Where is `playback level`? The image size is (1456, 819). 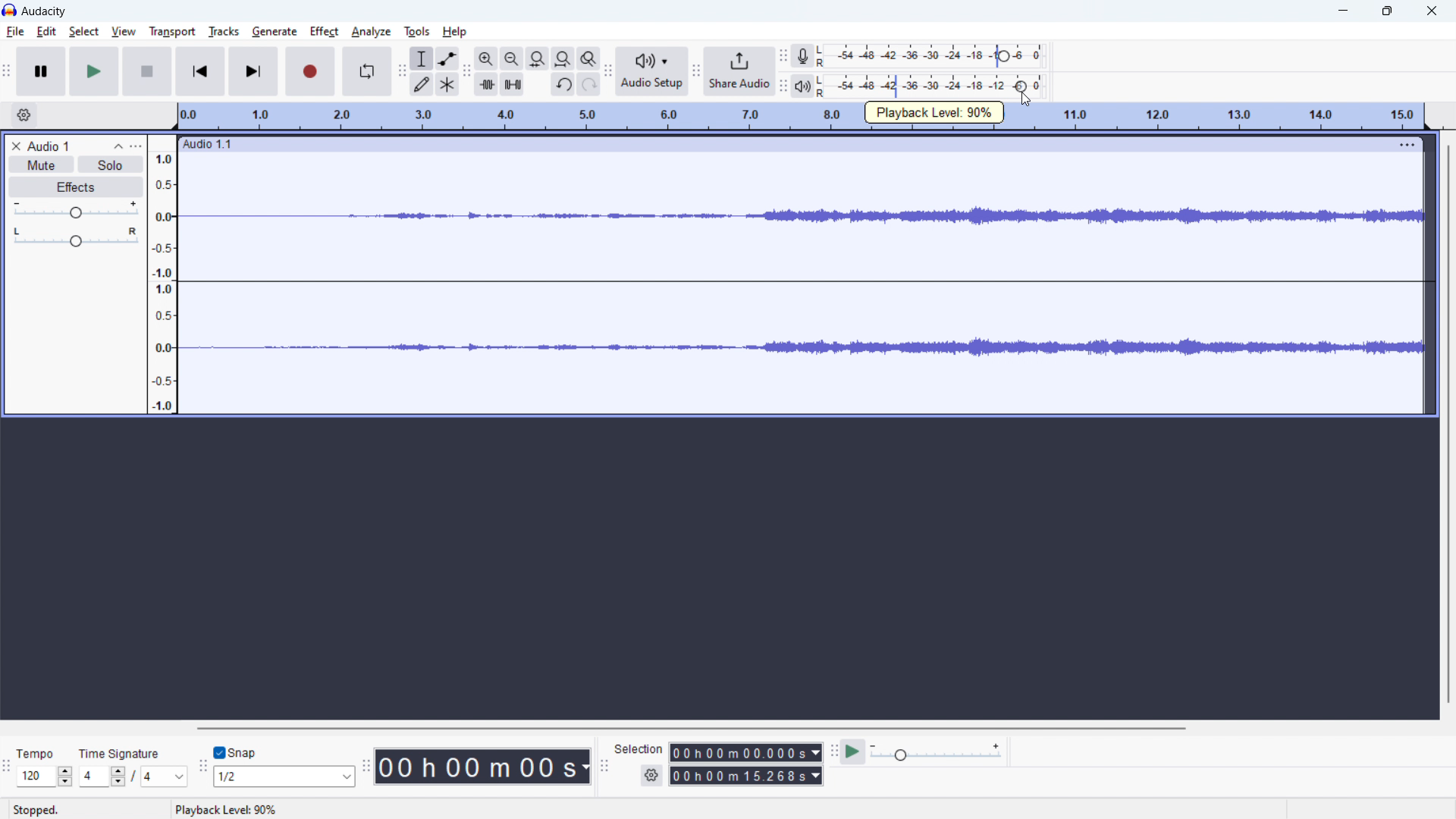
playback level is located at coordinates (930, 85).